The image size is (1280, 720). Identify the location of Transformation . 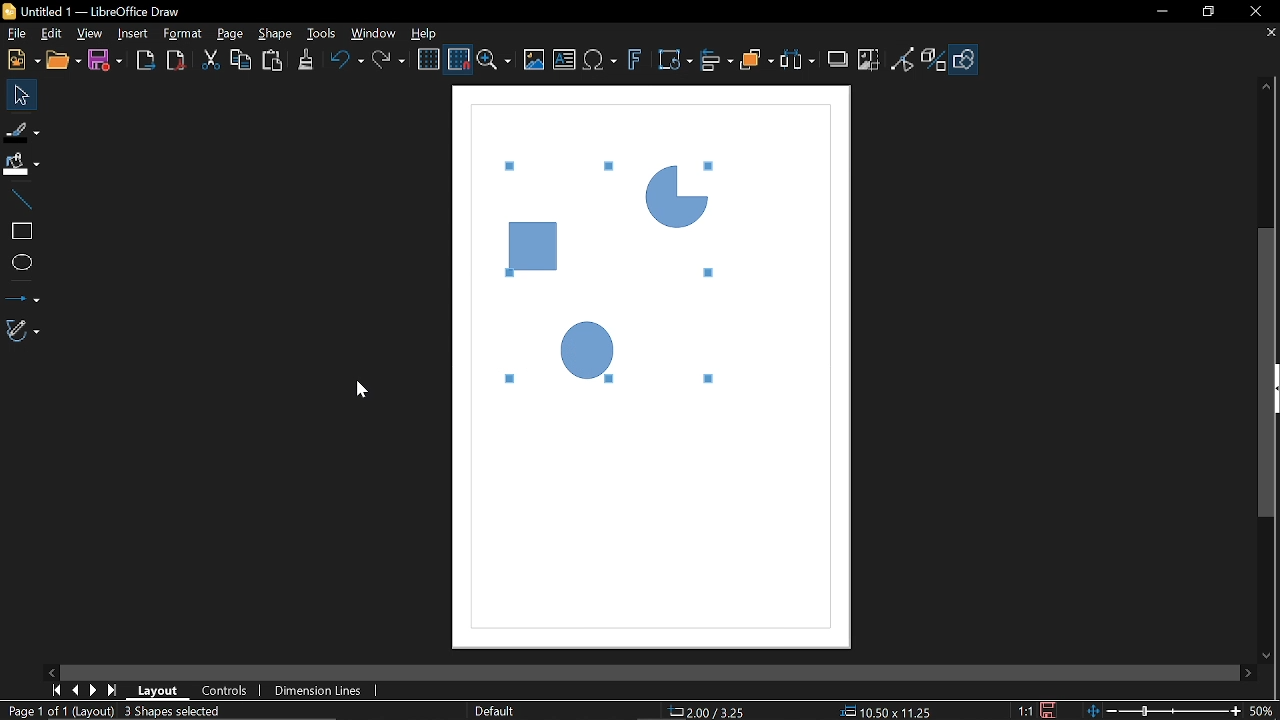
(674, 61).